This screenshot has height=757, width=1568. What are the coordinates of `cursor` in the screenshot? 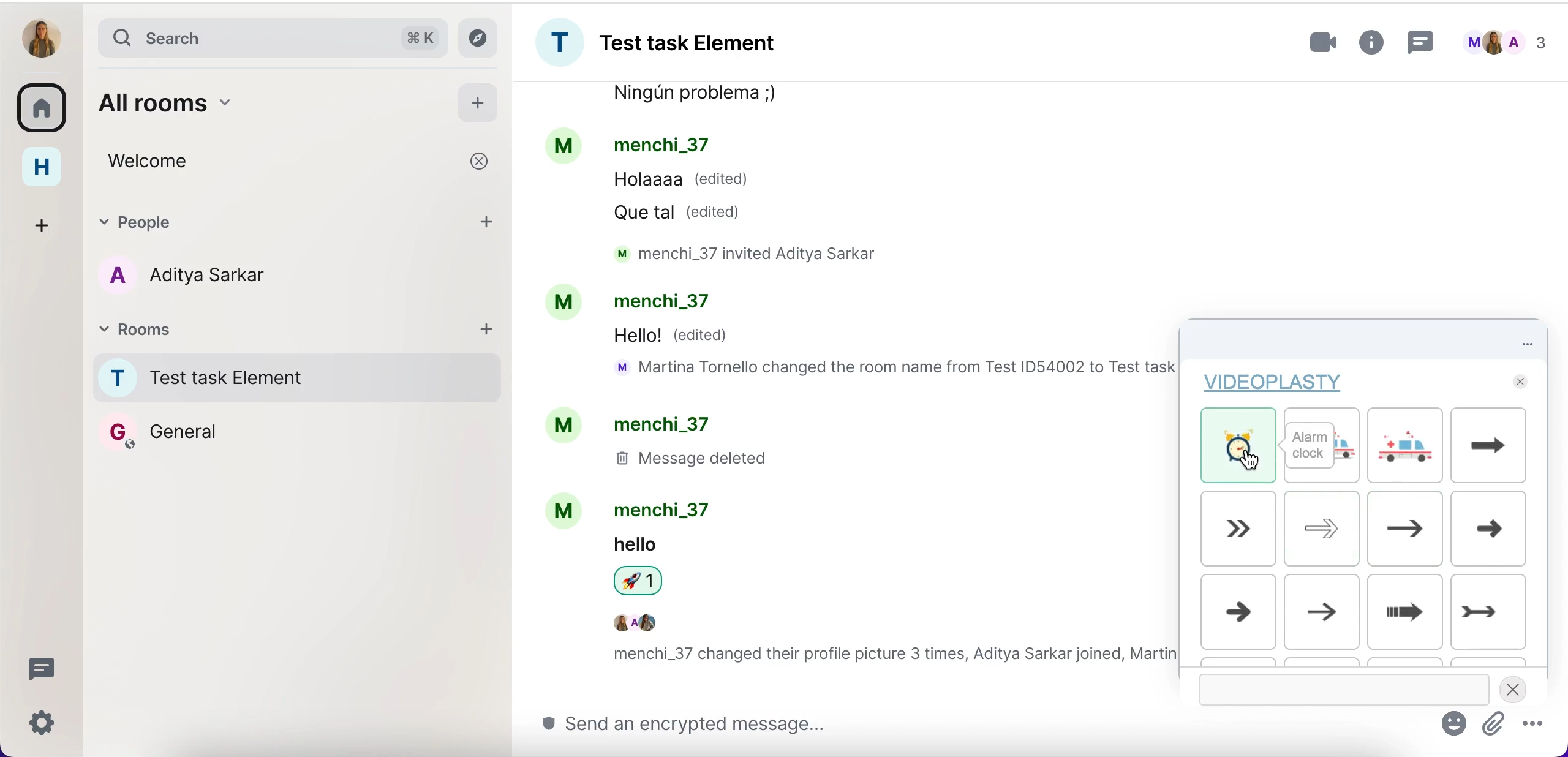 It's located at (1250, 459).